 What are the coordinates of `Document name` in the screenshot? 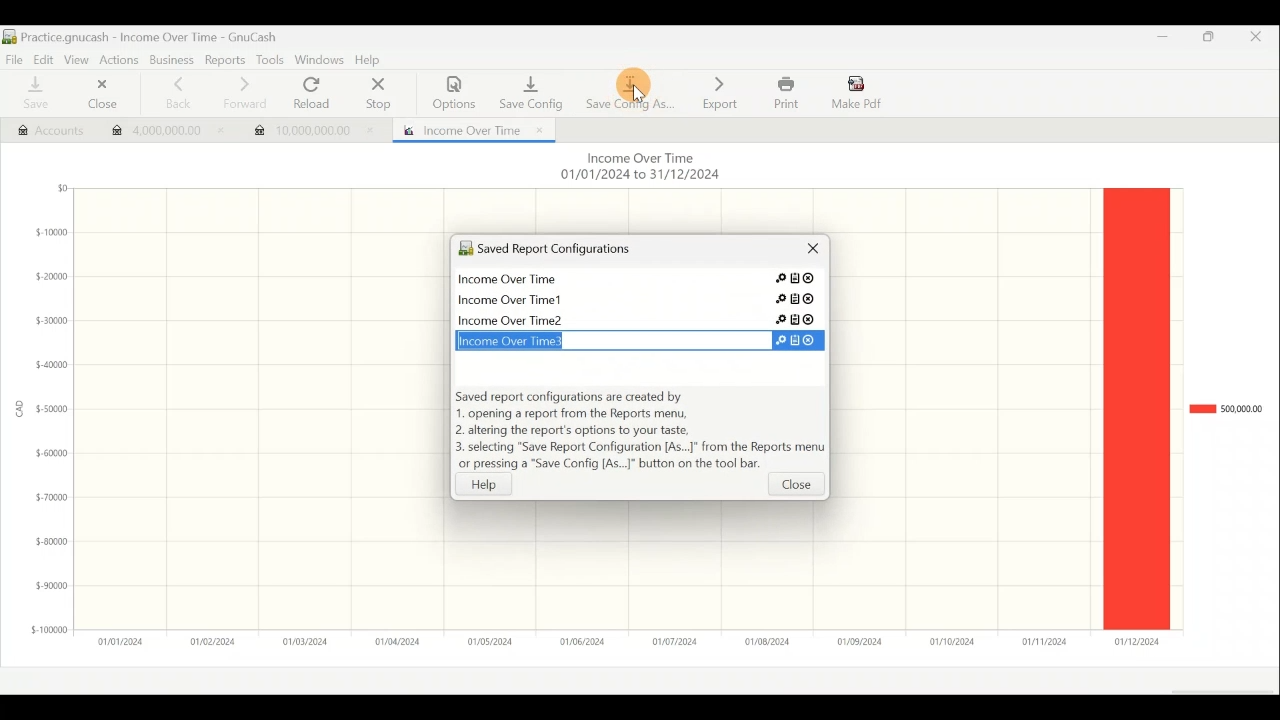 It's located at (150, 37).